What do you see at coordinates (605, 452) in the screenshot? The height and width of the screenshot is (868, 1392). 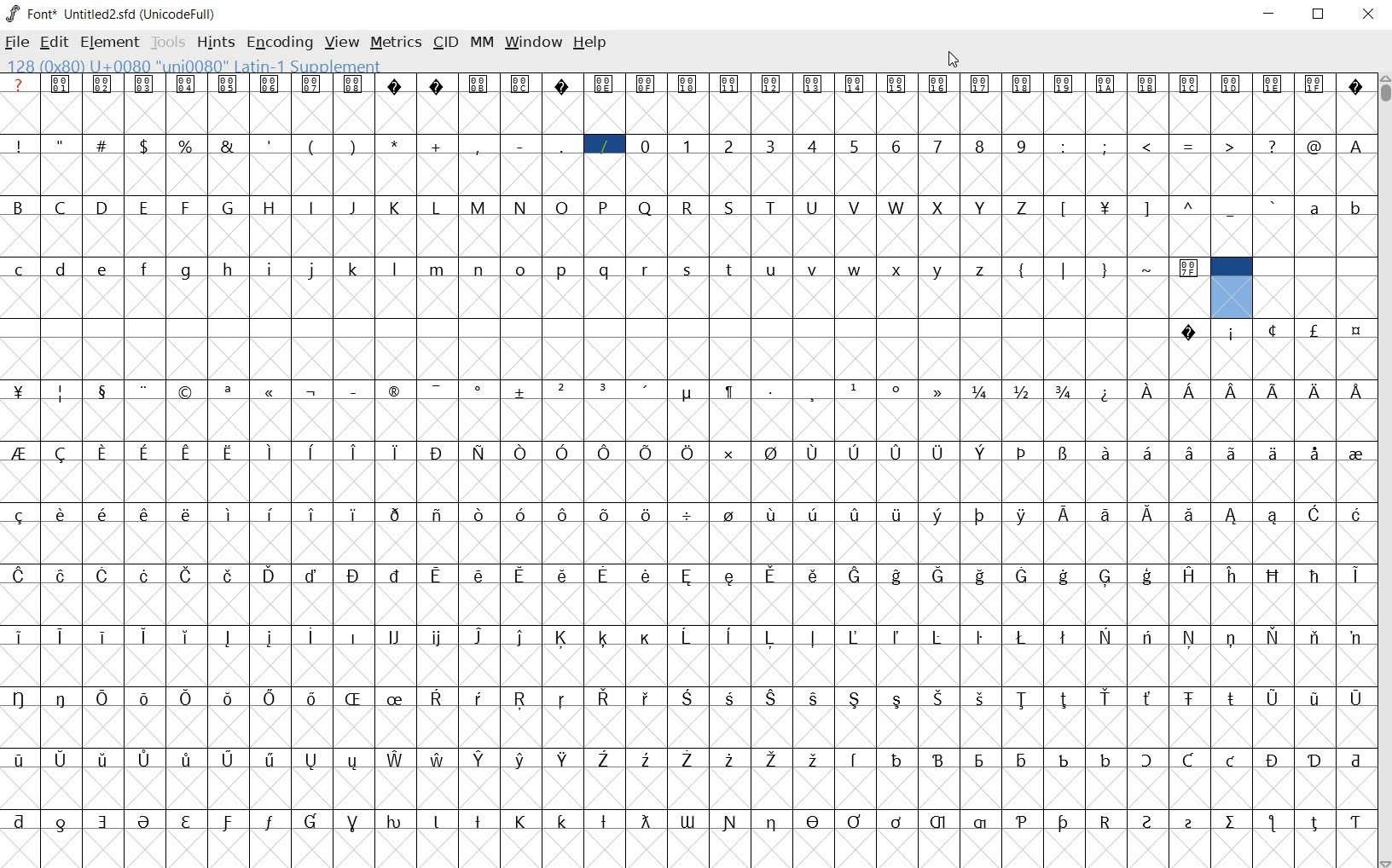 I see `Symbol` at bounding box center [605, 452].